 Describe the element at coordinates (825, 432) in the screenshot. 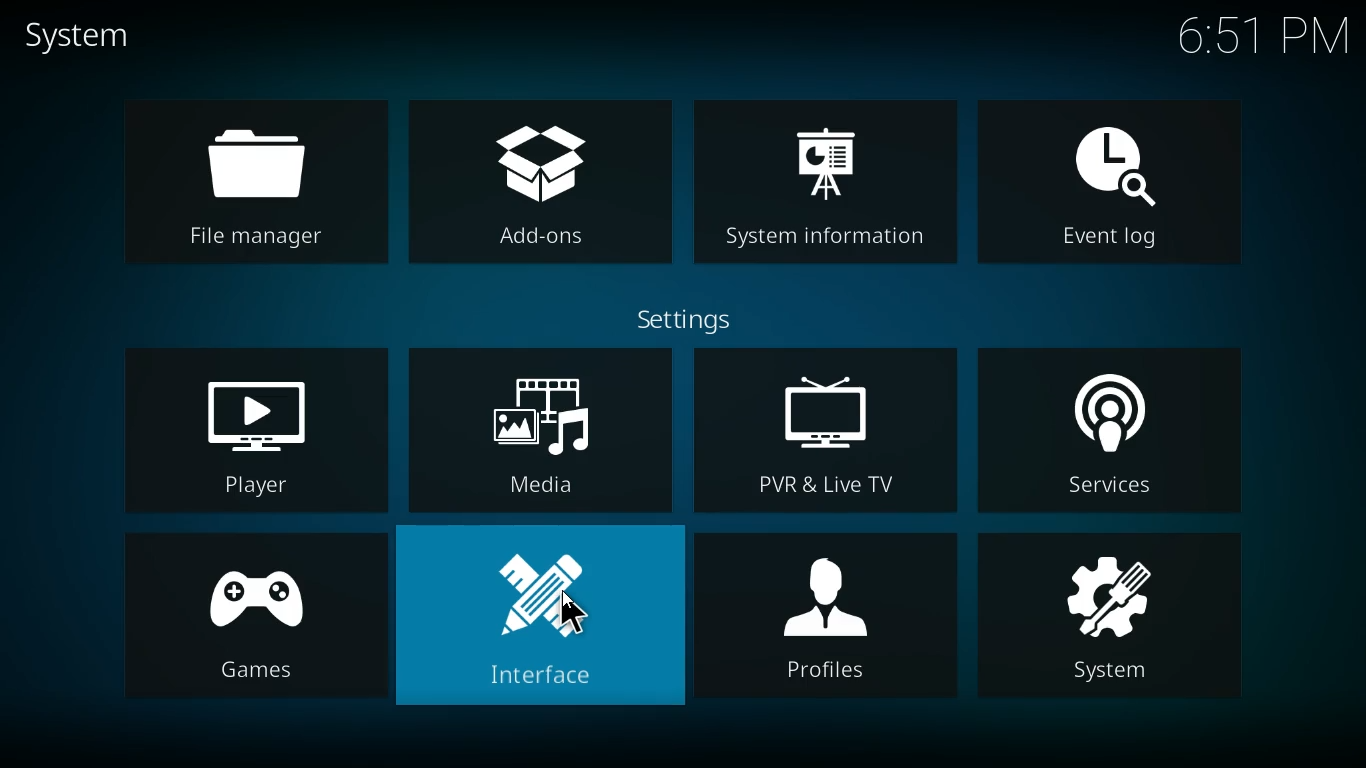

I see `pvr & live tv` at that location.